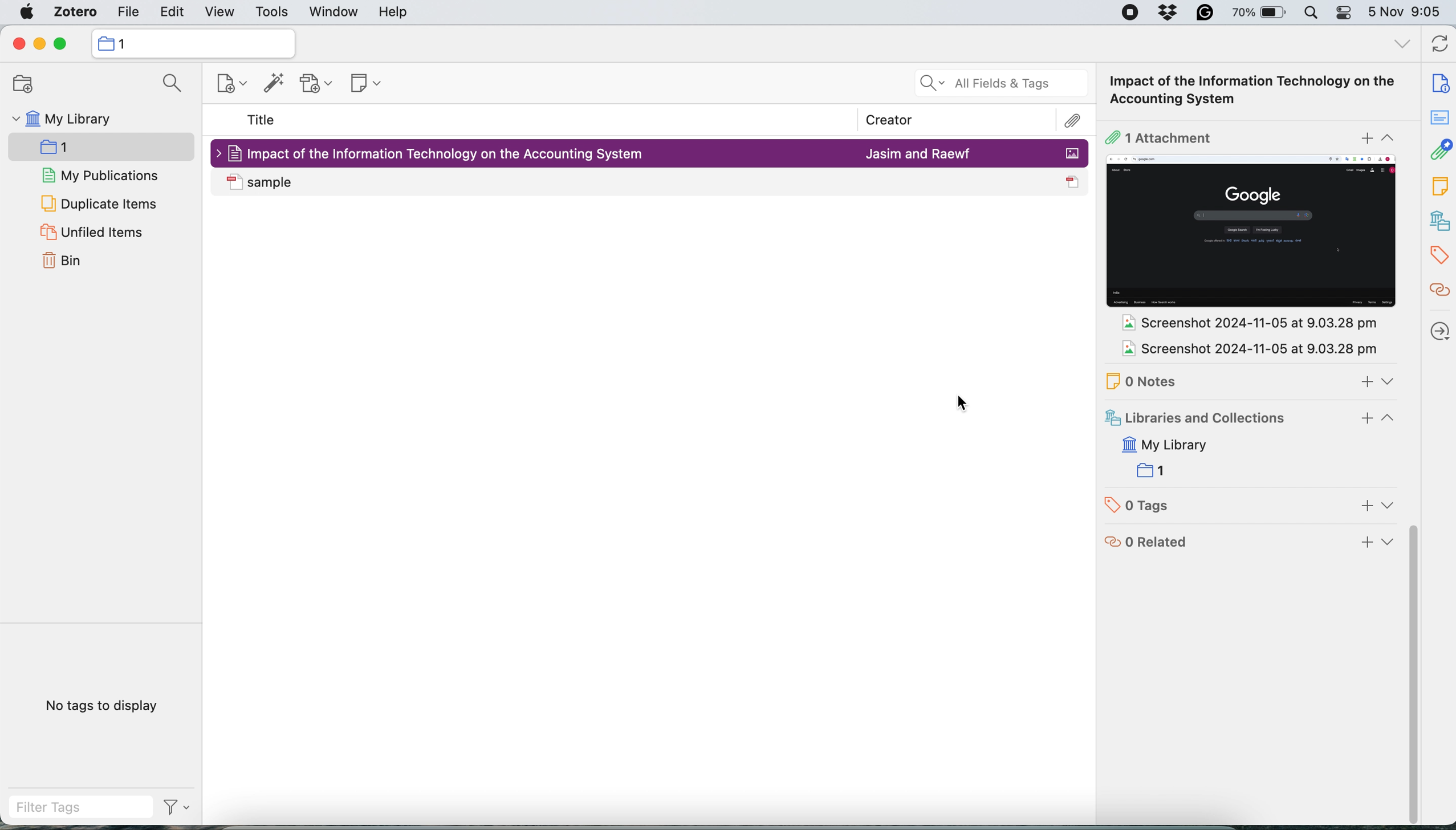  What do you see at coordinates (271, 13) in the screenshot?
I see `tools` at bounding box center [271, 13].